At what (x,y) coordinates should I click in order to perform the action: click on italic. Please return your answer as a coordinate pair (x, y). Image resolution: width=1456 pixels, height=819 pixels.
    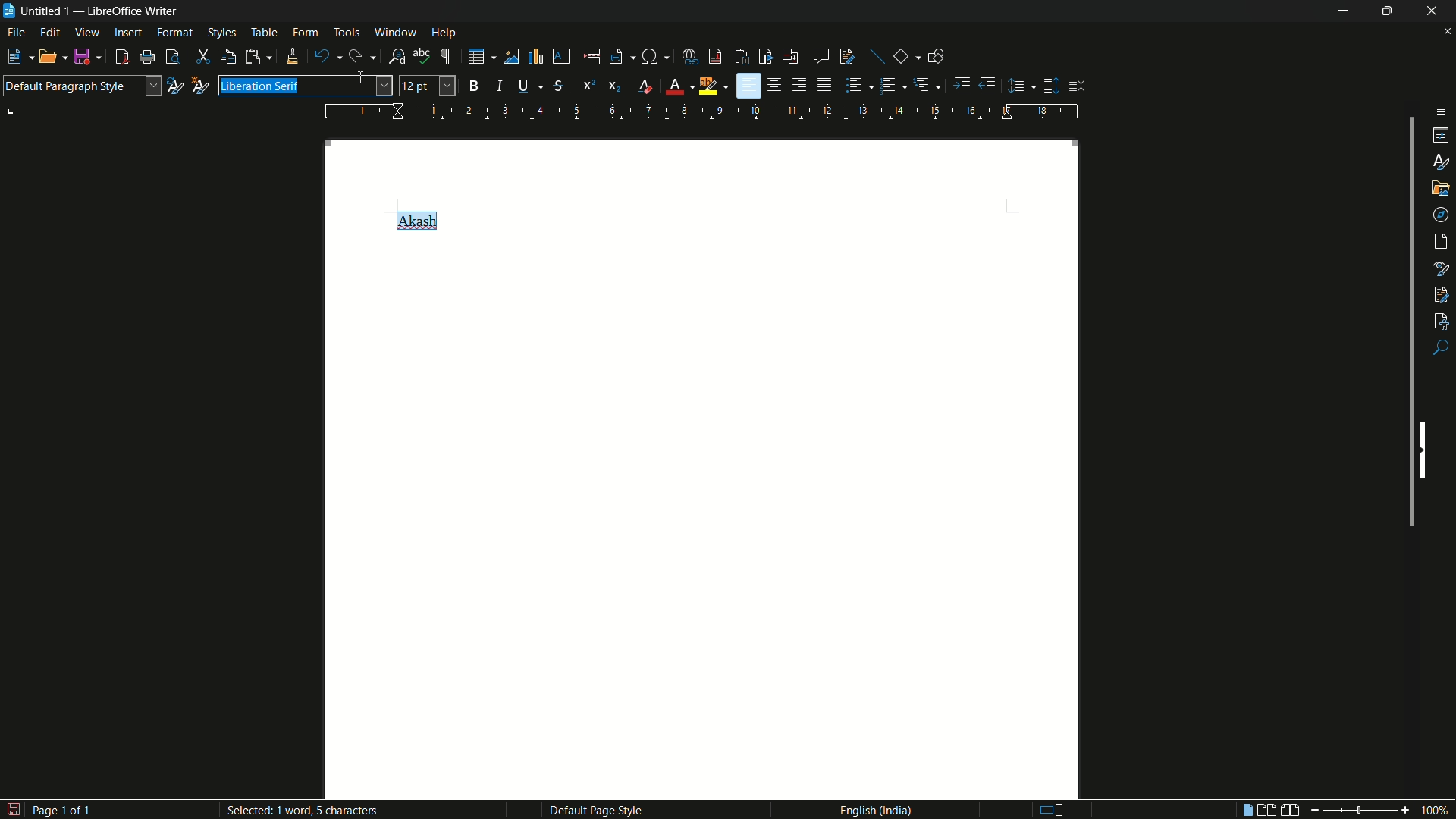
    Looking at the image, I should click on (504, 86).